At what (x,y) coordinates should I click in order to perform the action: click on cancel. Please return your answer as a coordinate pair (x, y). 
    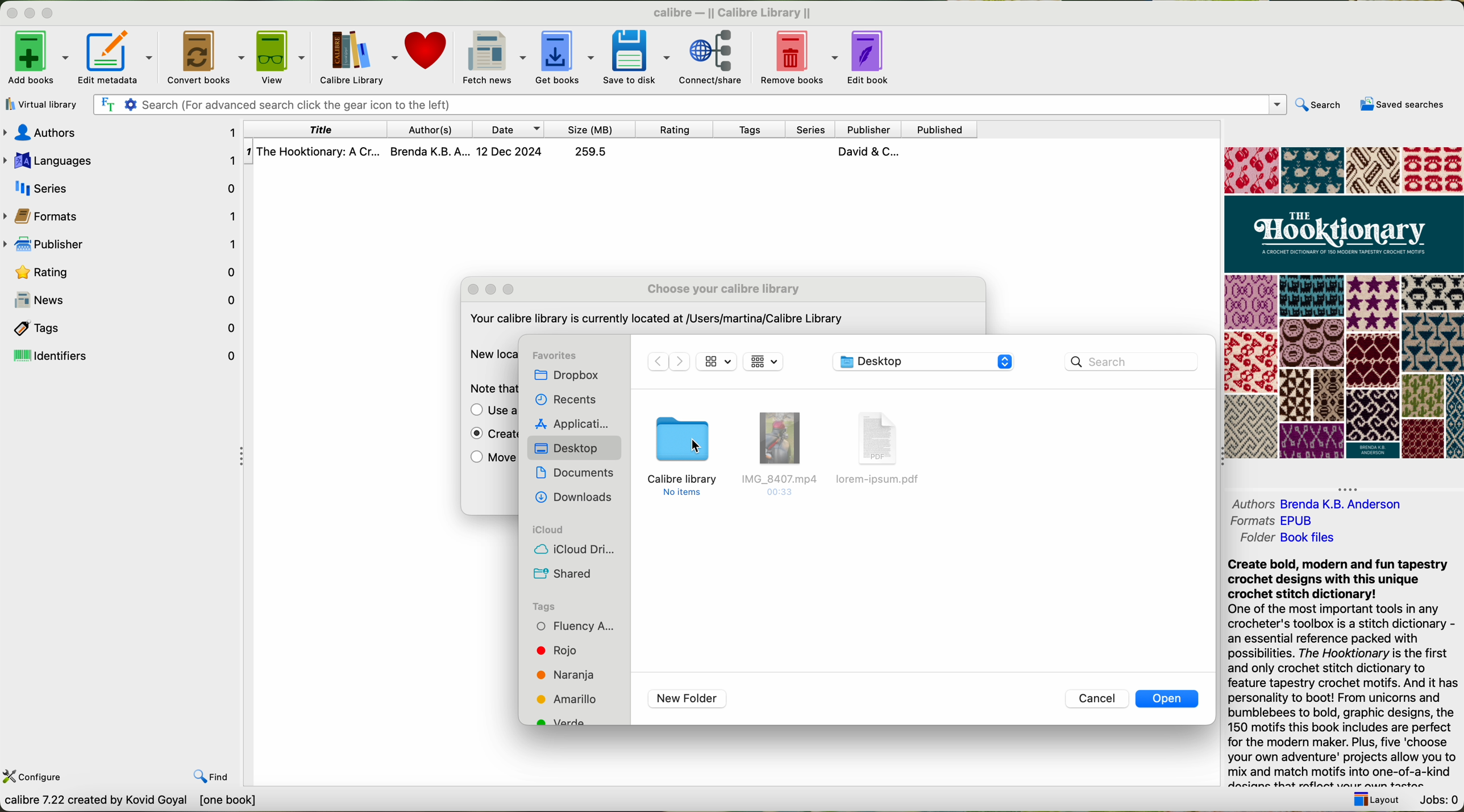
    Looking at the image, I should click on (1099, 698).